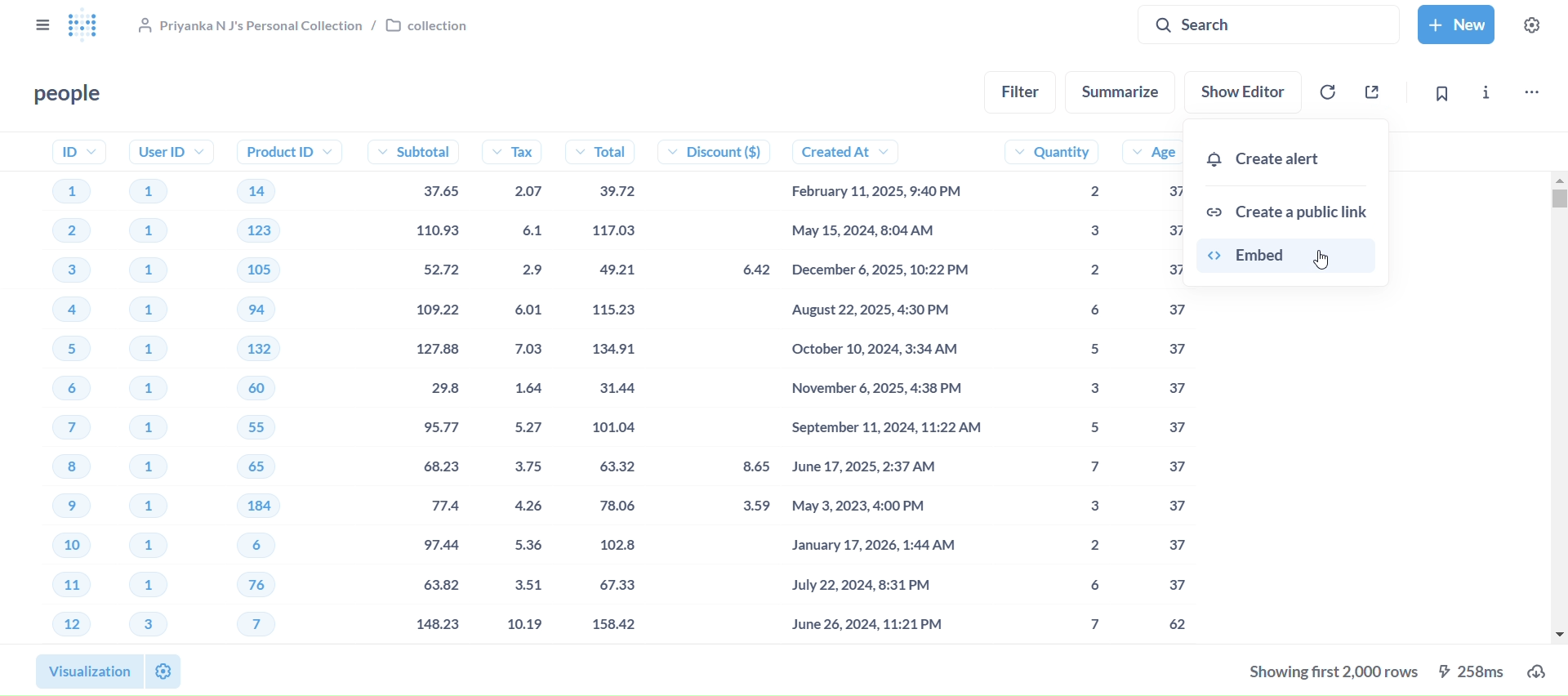  What do you see at coordinates (613, 390) in the screenshot?
I see `total` at bounding box center [613, 390].